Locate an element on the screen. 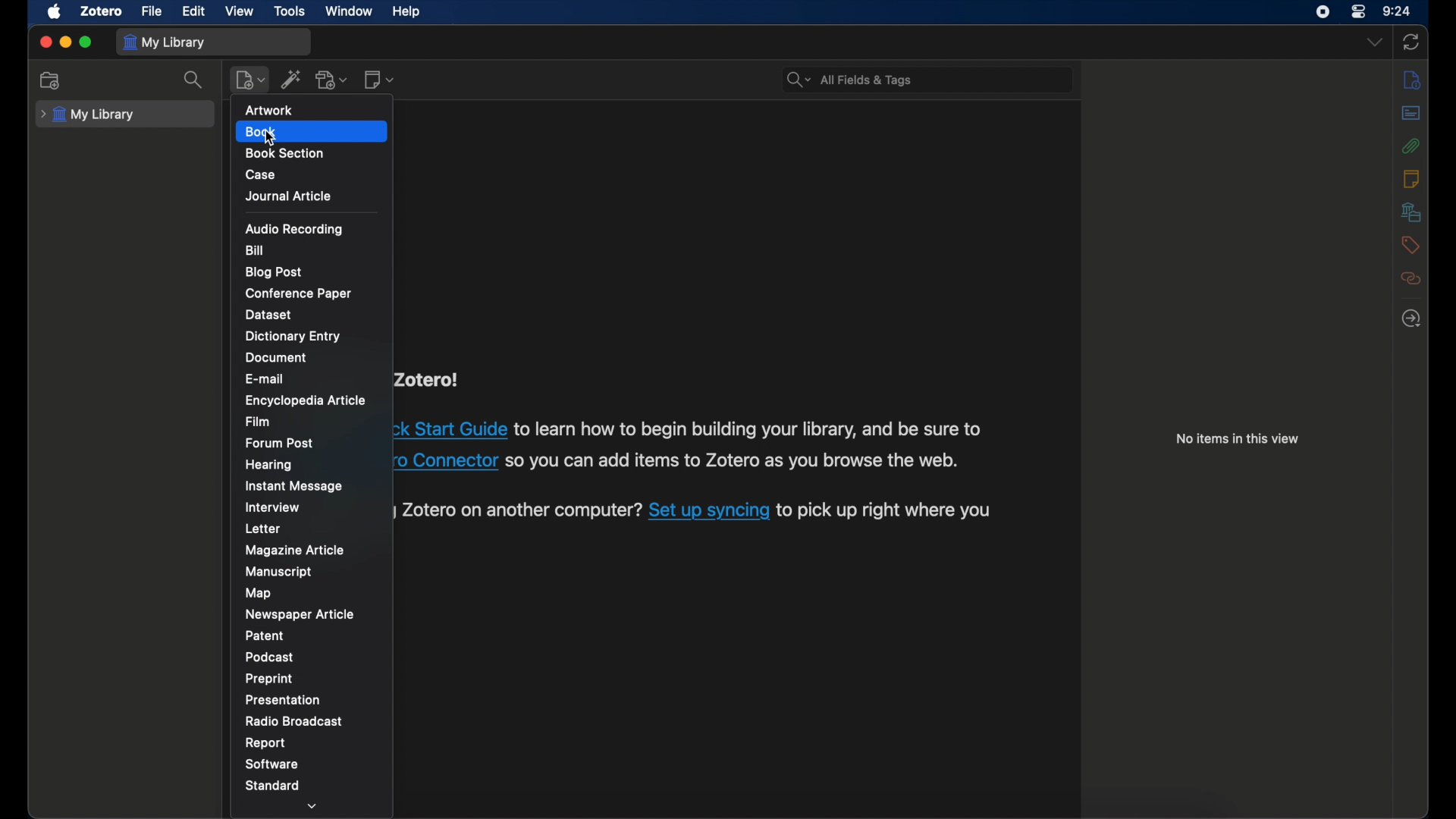 The width and height of the screenshot is (1456, 819). close is located at coordinates (46, 42).